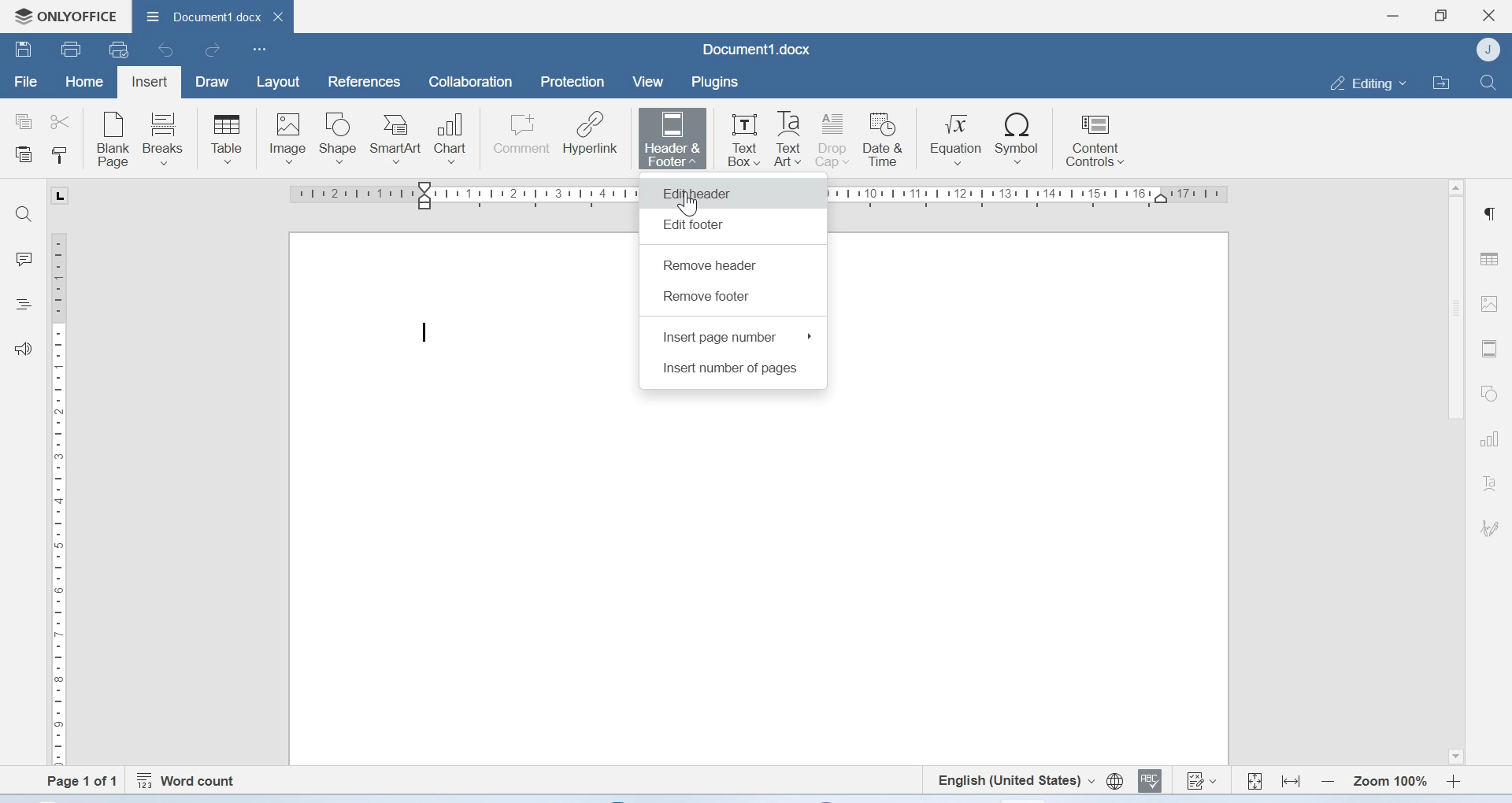 The image size is (1512, 803). I want to click on Remove header, so click(712, 267).